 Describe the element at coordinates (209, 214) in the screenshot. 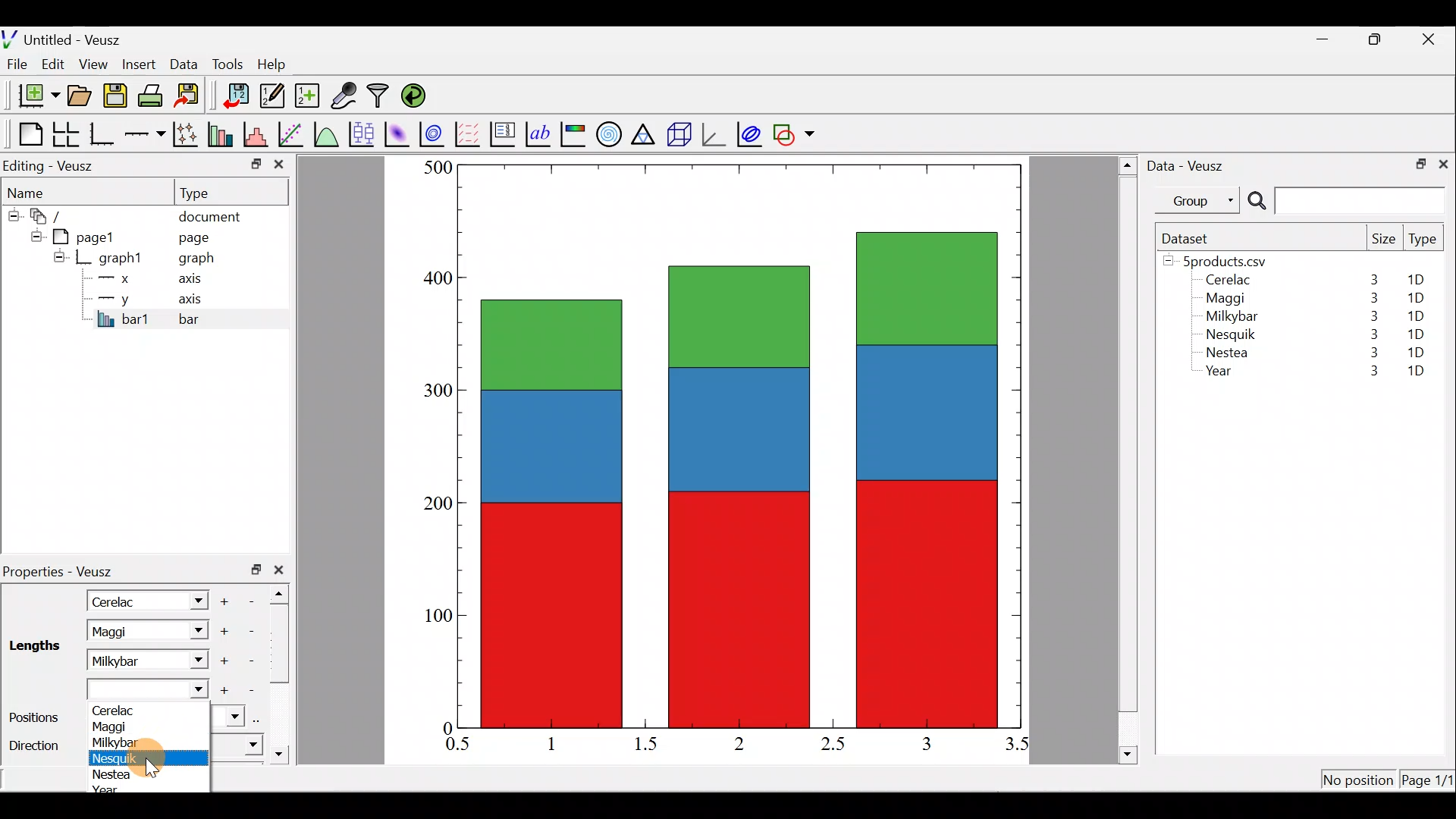

I see `document` at that location.